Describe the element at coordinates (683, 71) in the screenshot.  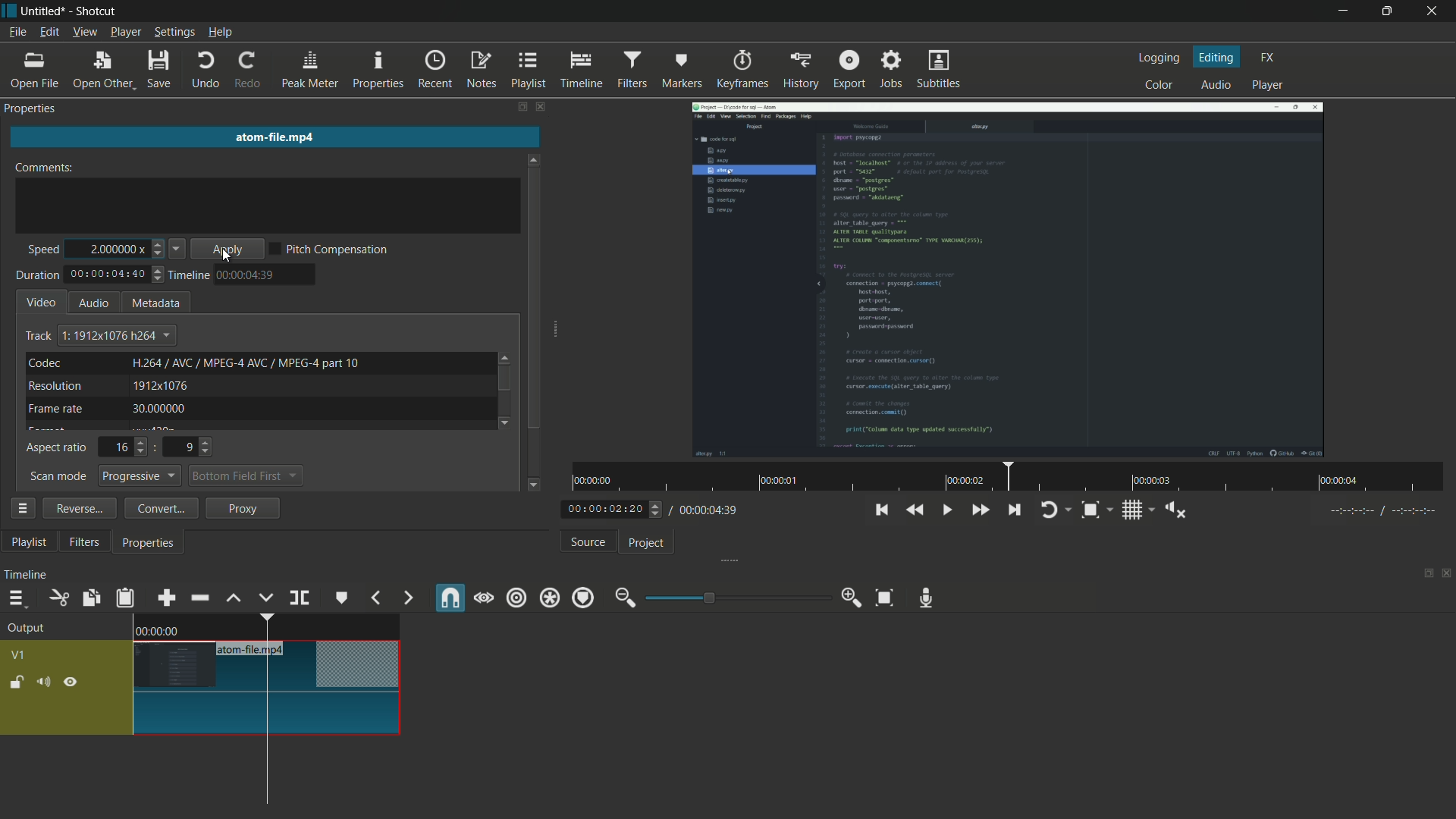
I see `markers` at that location.